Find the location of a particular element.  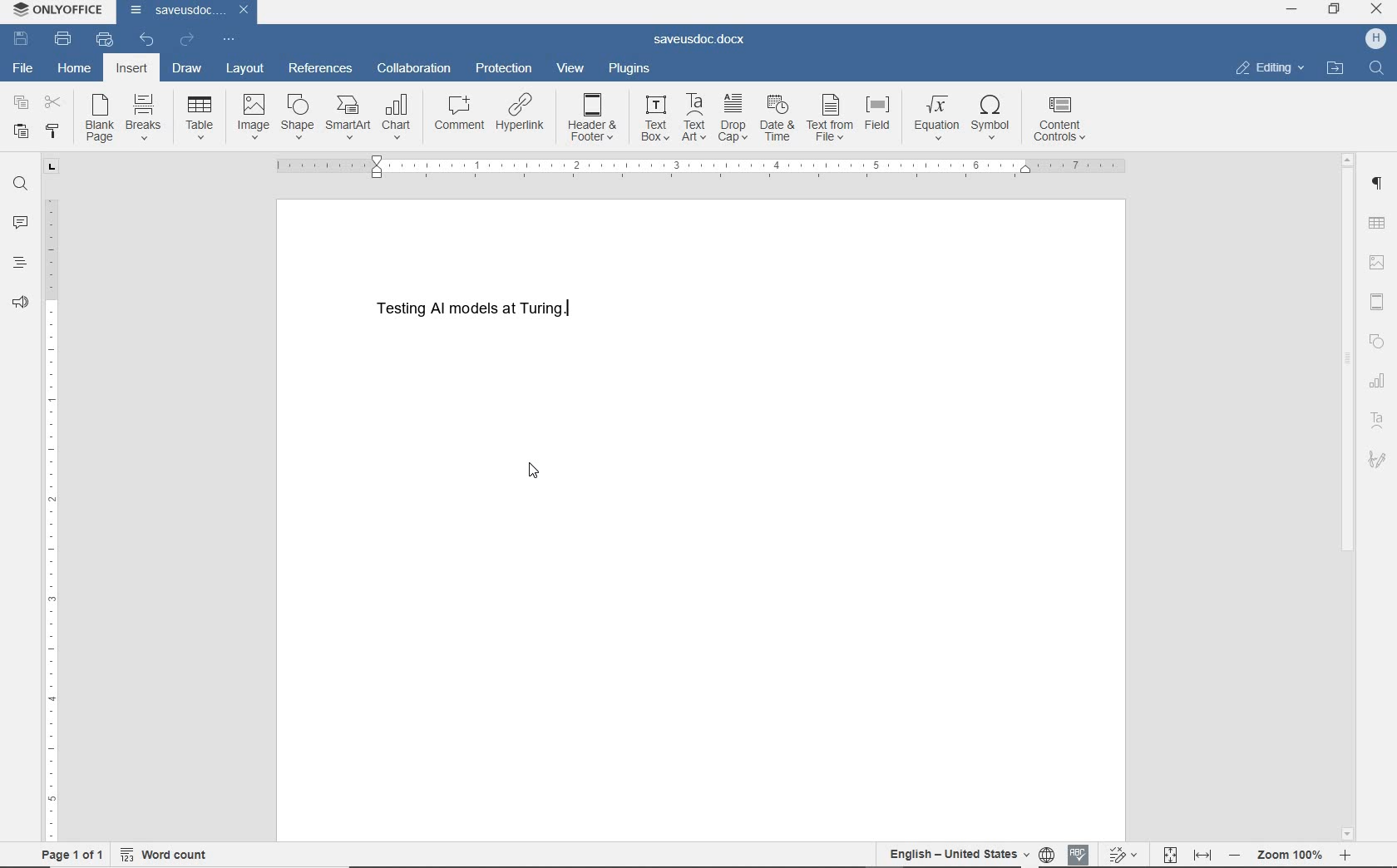

English-United States(text language) is located at coordinates (955, 855).